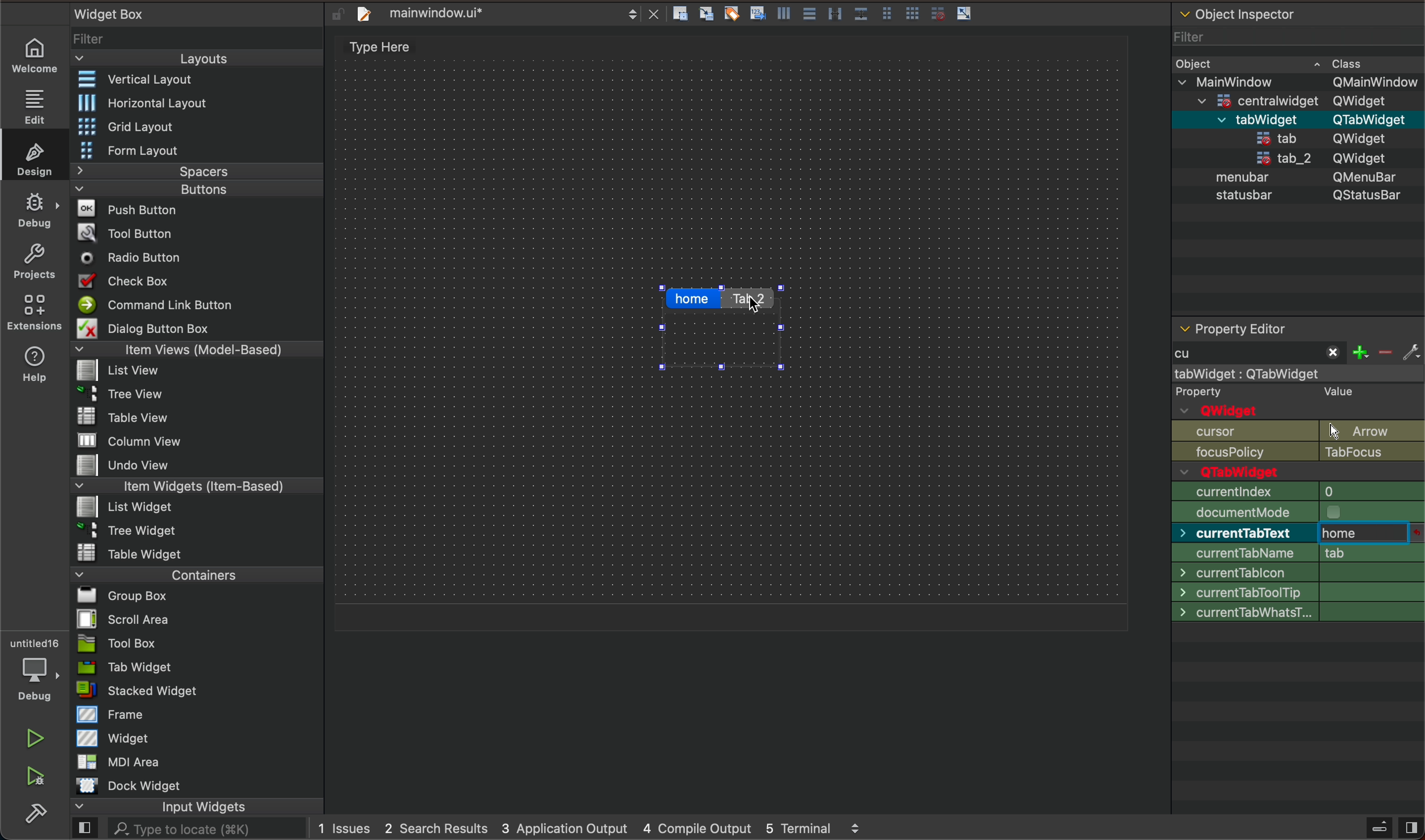 This screenshot has height=840, width=1425. Describe the element at coordinates (32, 56) in the screenshot. I see `welcome` at that location.